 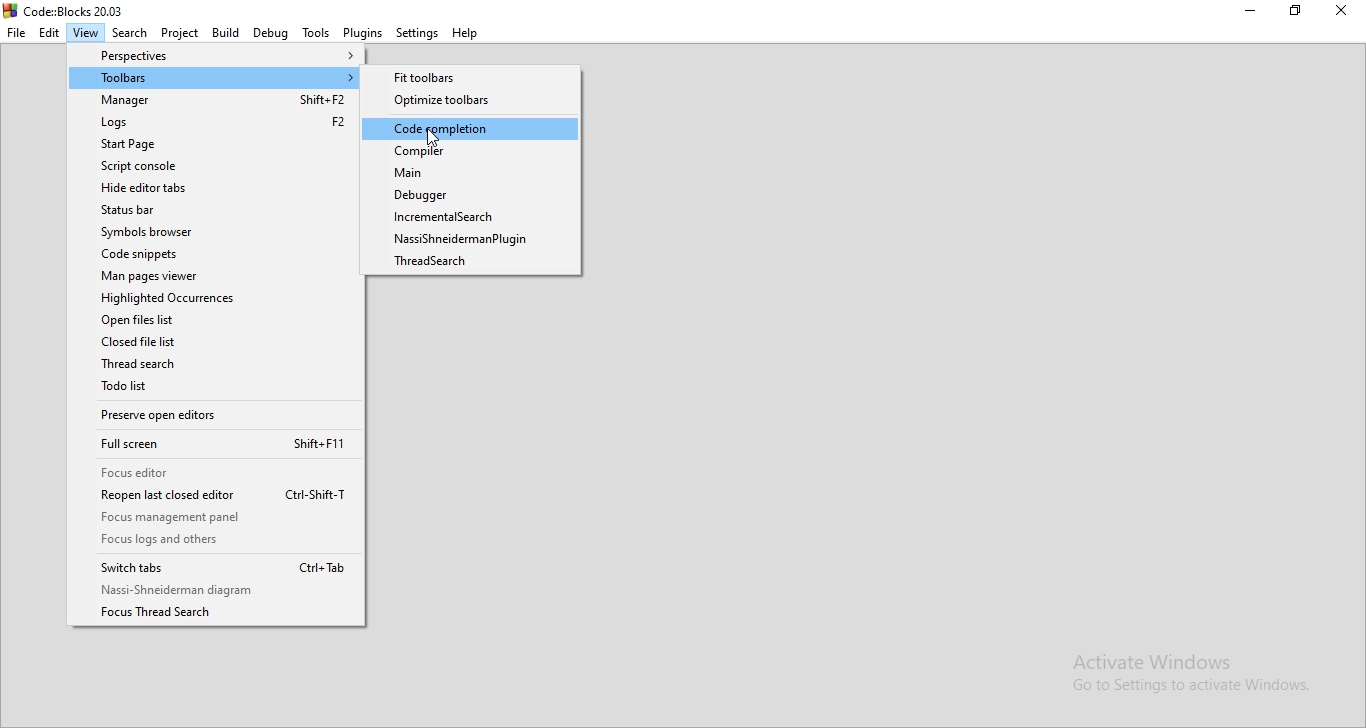 I want to click on Project , so click(x=178, y=33).